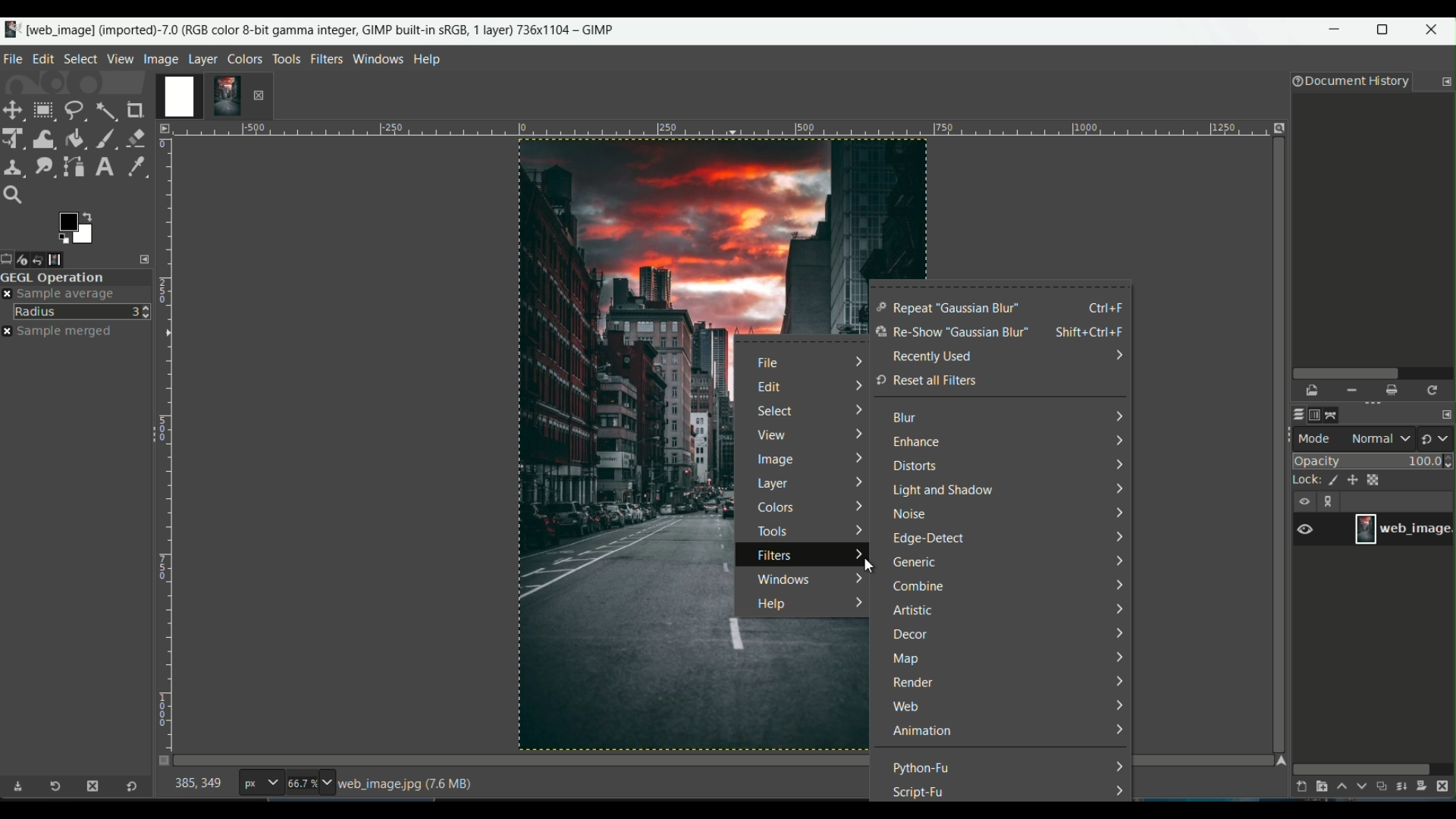 The width and height of the screenshot is (1456, 819). Describe the element at coordinates (80, 58) in the screenshot. I see `select tab` at that location.